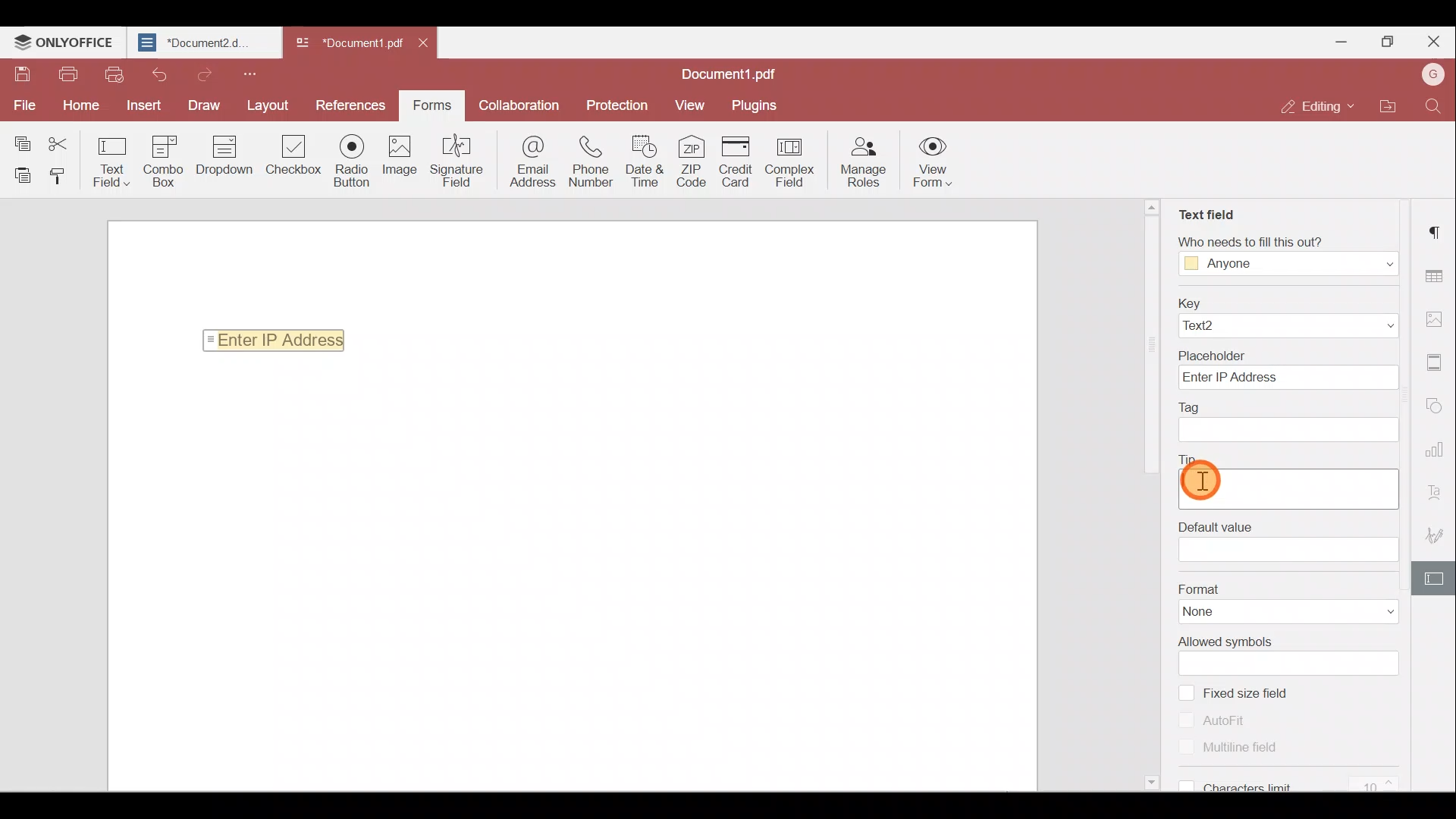 The image size is (1456, 819). Describe the element at coordinates (255, 73) in the screenshot. I see `Customize quick access toolbar` at that location.